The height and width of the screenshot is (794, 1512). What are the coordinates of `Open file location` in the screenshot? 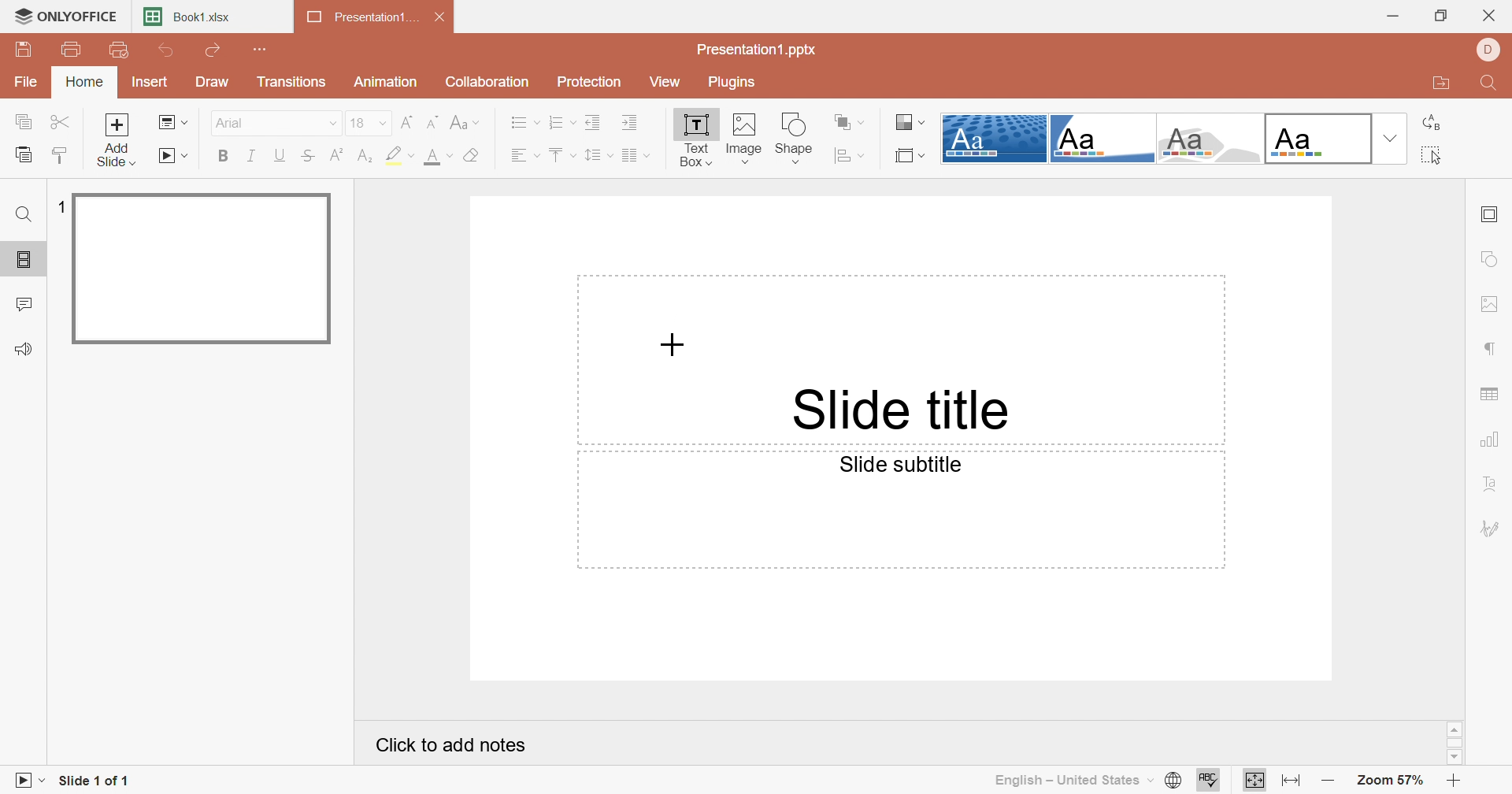 It's located at (1442, 83).